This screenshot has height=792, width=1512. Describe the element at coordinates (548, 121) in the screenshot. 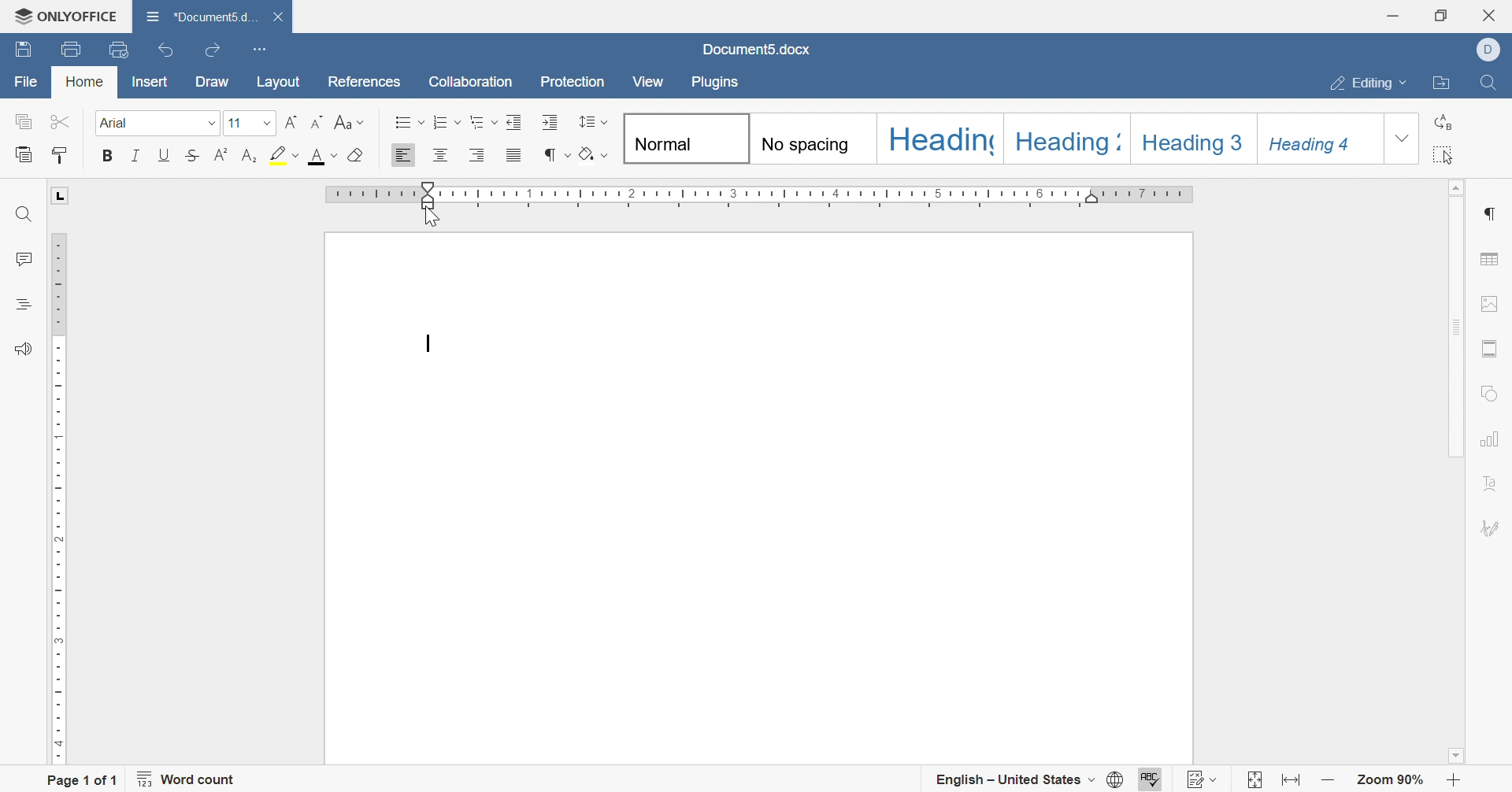

I see `increase indent` at that location.